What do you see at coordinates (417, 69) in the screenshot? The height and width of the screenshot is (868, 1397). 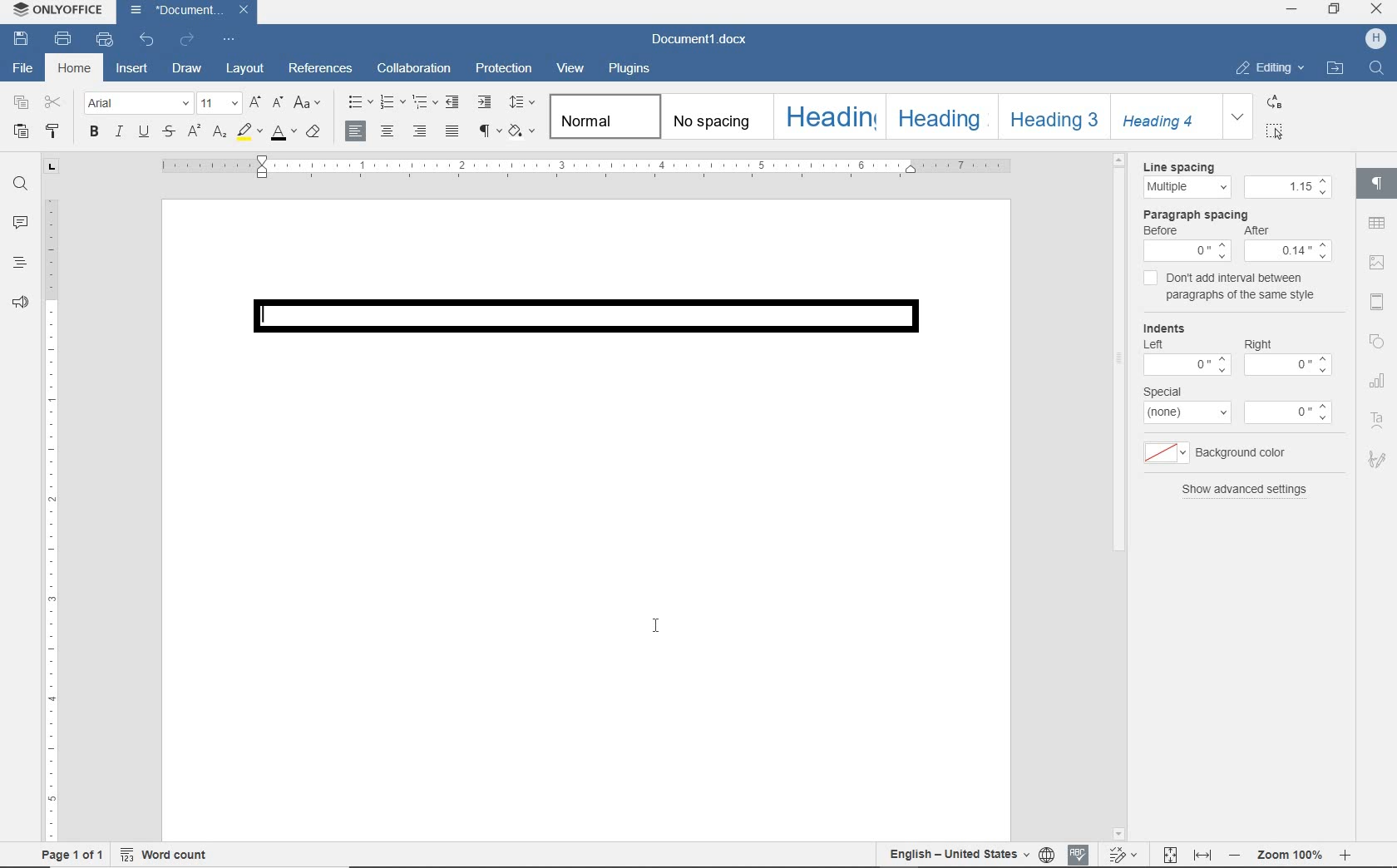 I see `collaboration` at bounding box center [417, 69].